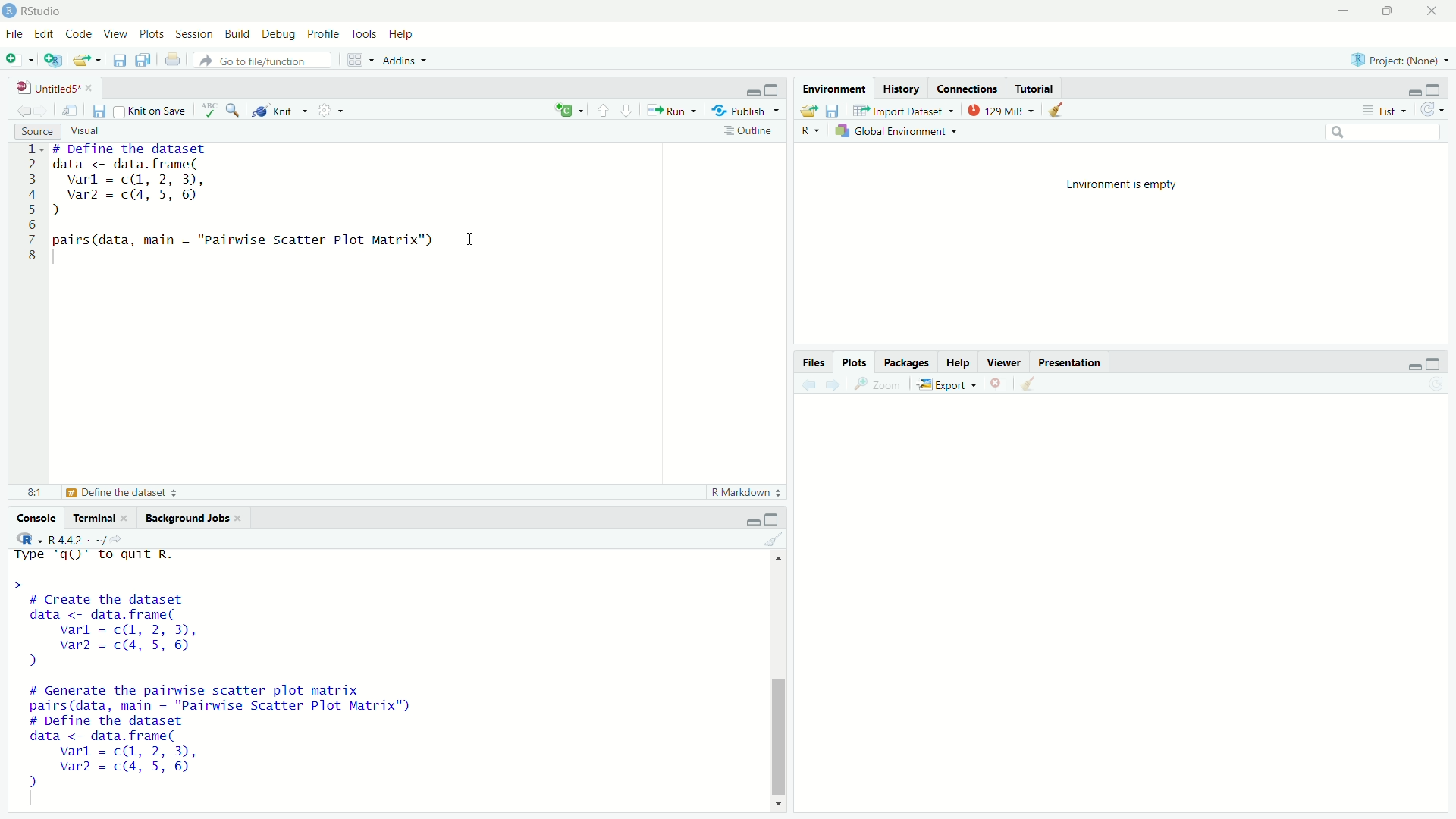 Image resolution: width=1456 pixels, height=819 pixels. What do you see at coordinates (752, 91) in the screenshot?
I see `Minimize` at bounding box center [752, 91].